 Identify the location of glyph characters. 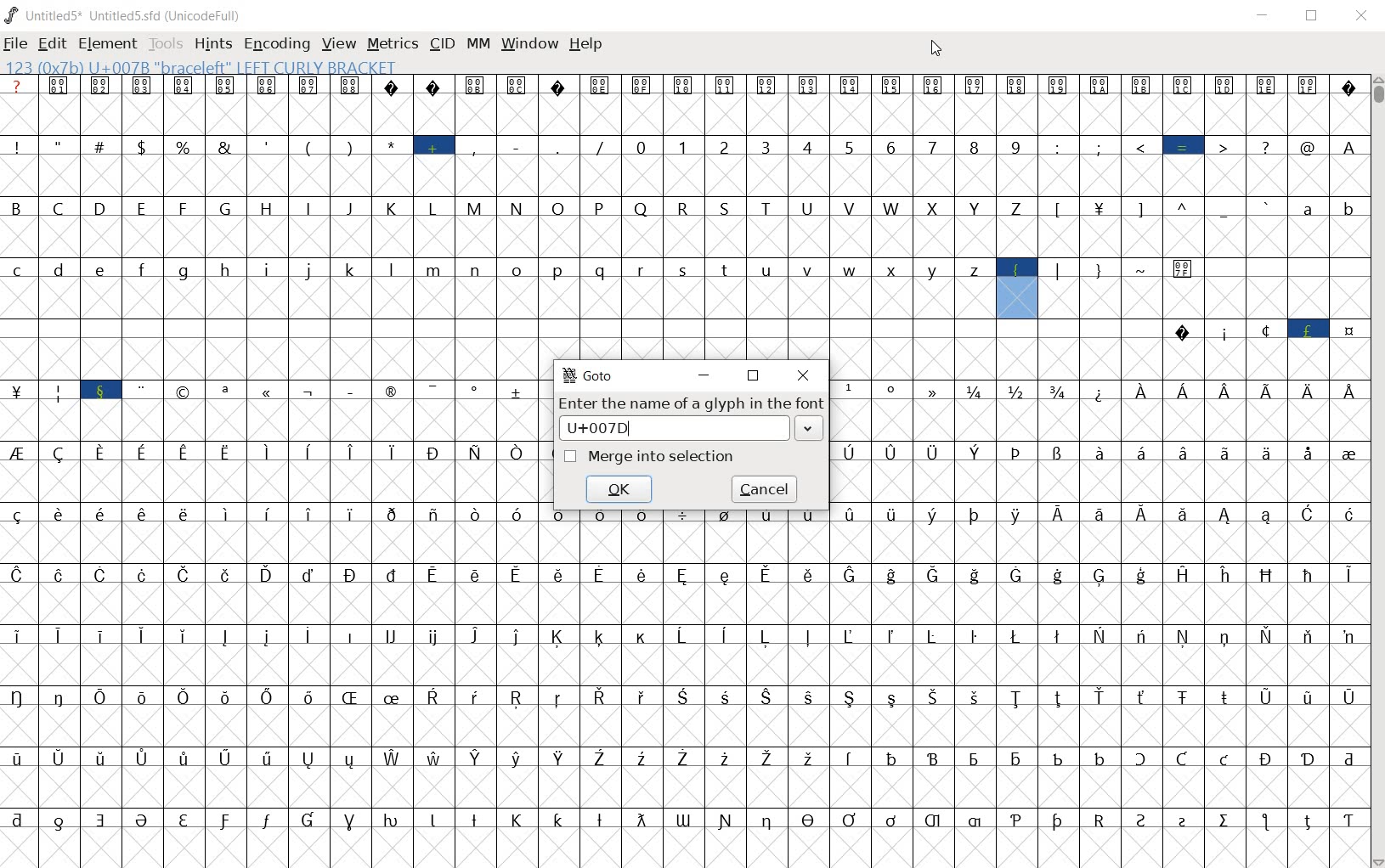
(1099, 442).